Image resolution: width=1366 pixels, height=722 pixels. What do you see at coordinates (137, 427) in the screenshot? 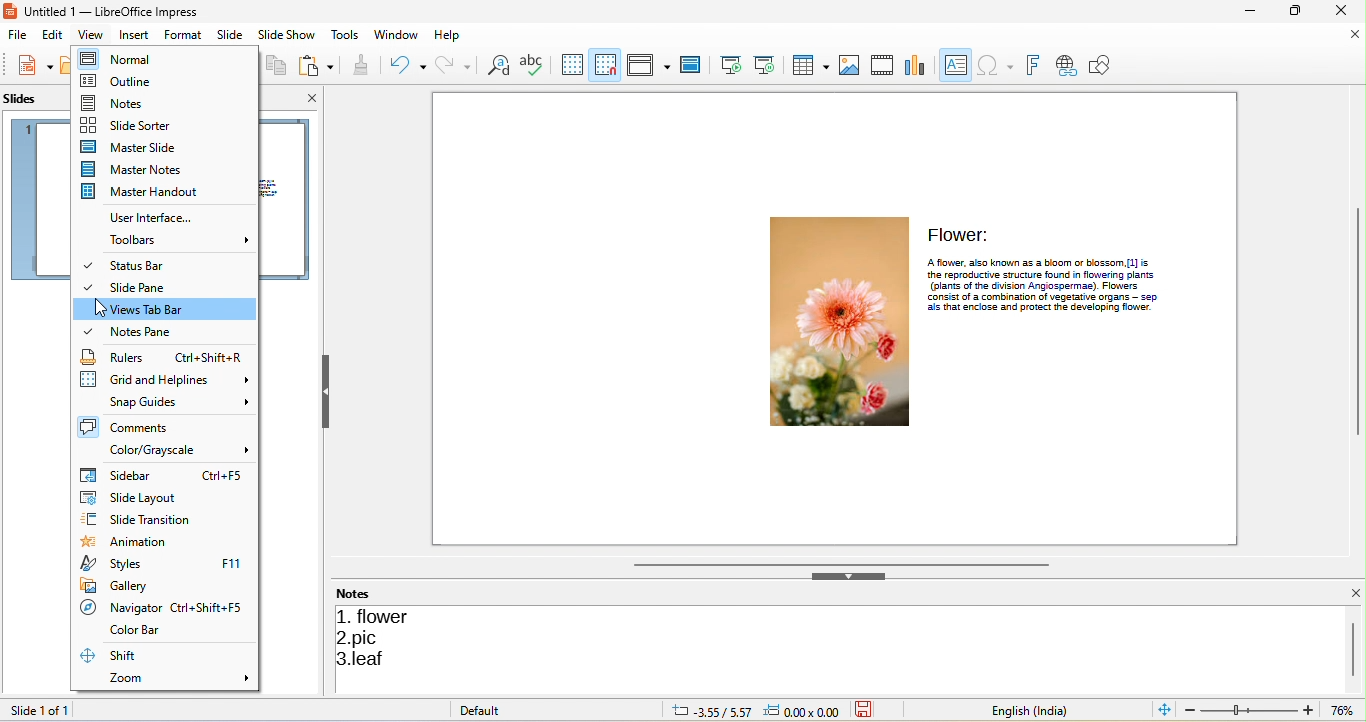
I see `comments` at bounding box center [137, 427].